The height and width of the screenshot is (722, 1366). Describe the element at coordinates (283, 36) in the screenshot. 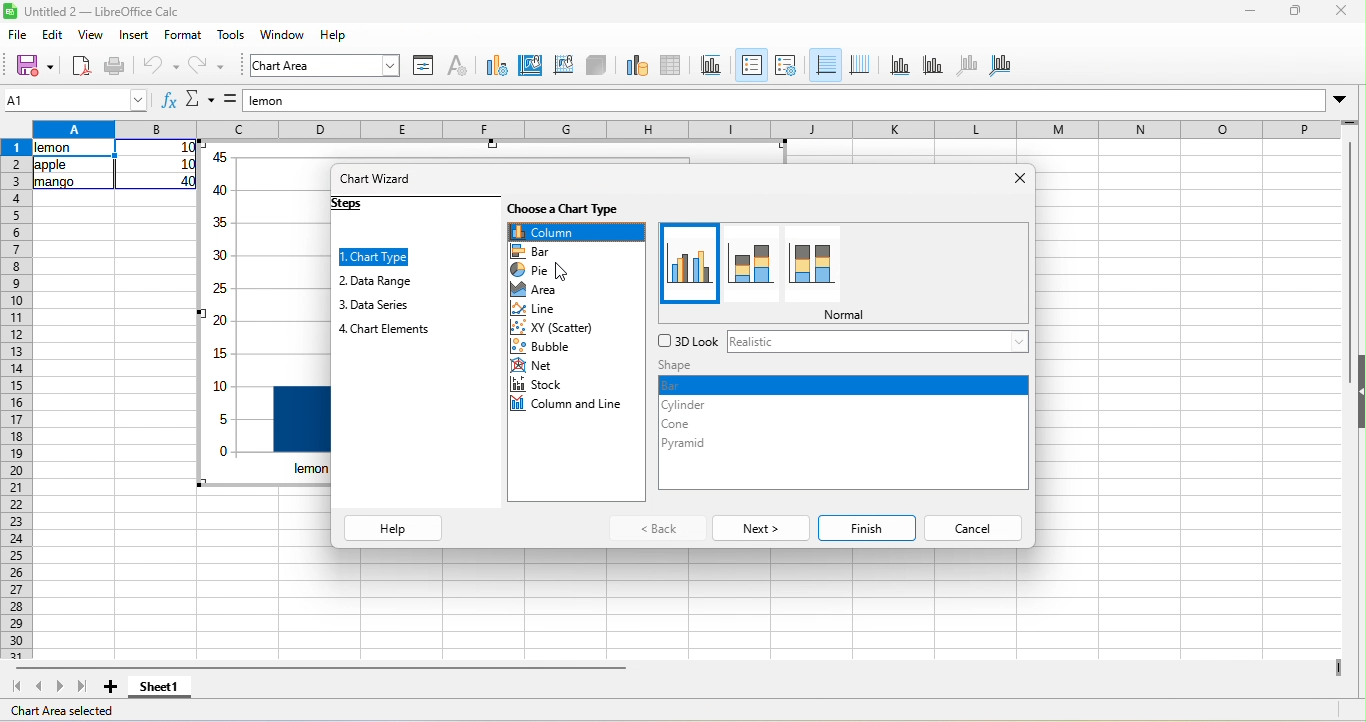

I see `windows` at that location.